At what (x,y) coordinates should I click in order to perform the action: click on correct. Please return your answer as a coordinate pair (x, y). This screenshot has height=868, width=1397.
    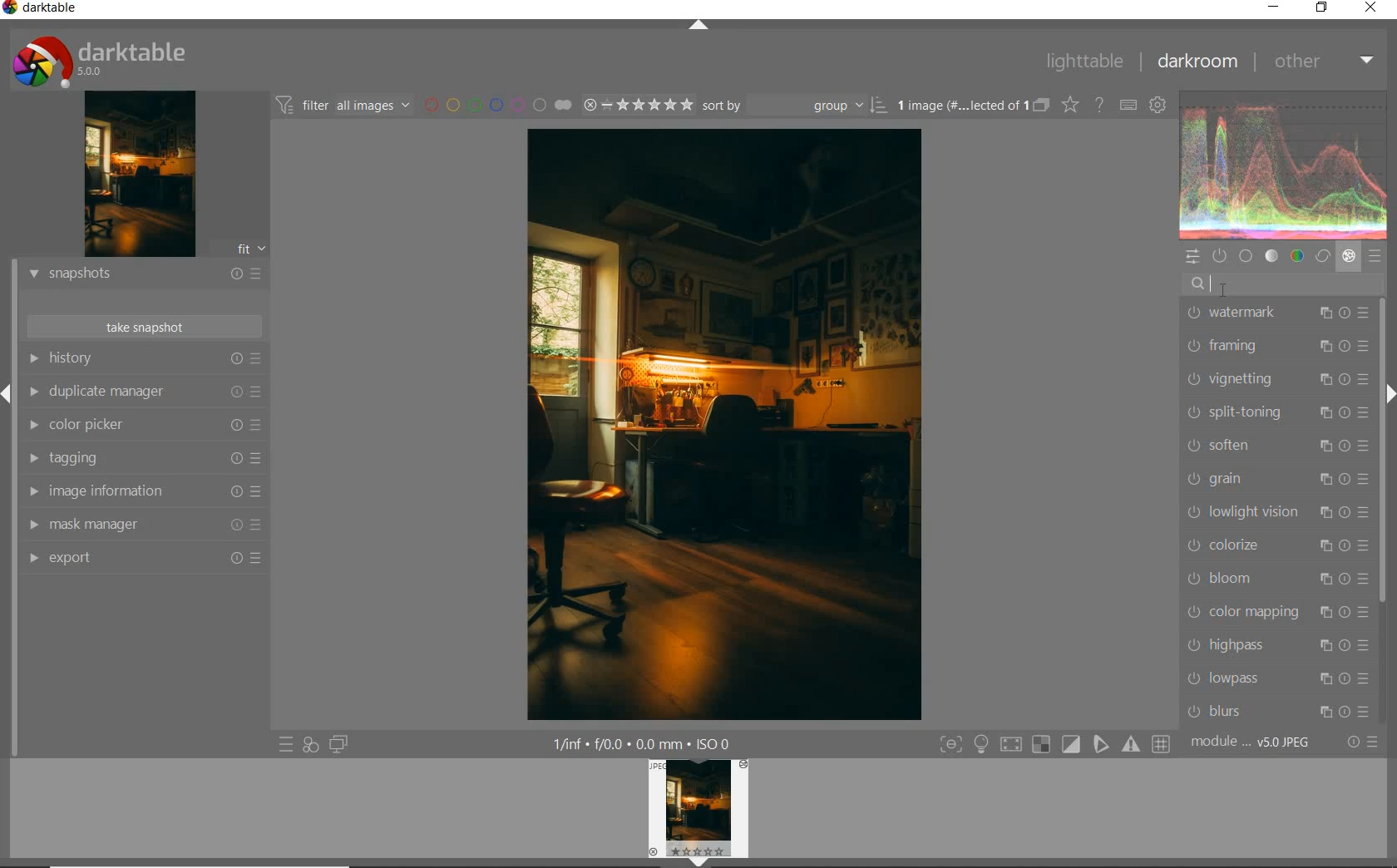
    Looking at the image, I should click on (1323, 255).